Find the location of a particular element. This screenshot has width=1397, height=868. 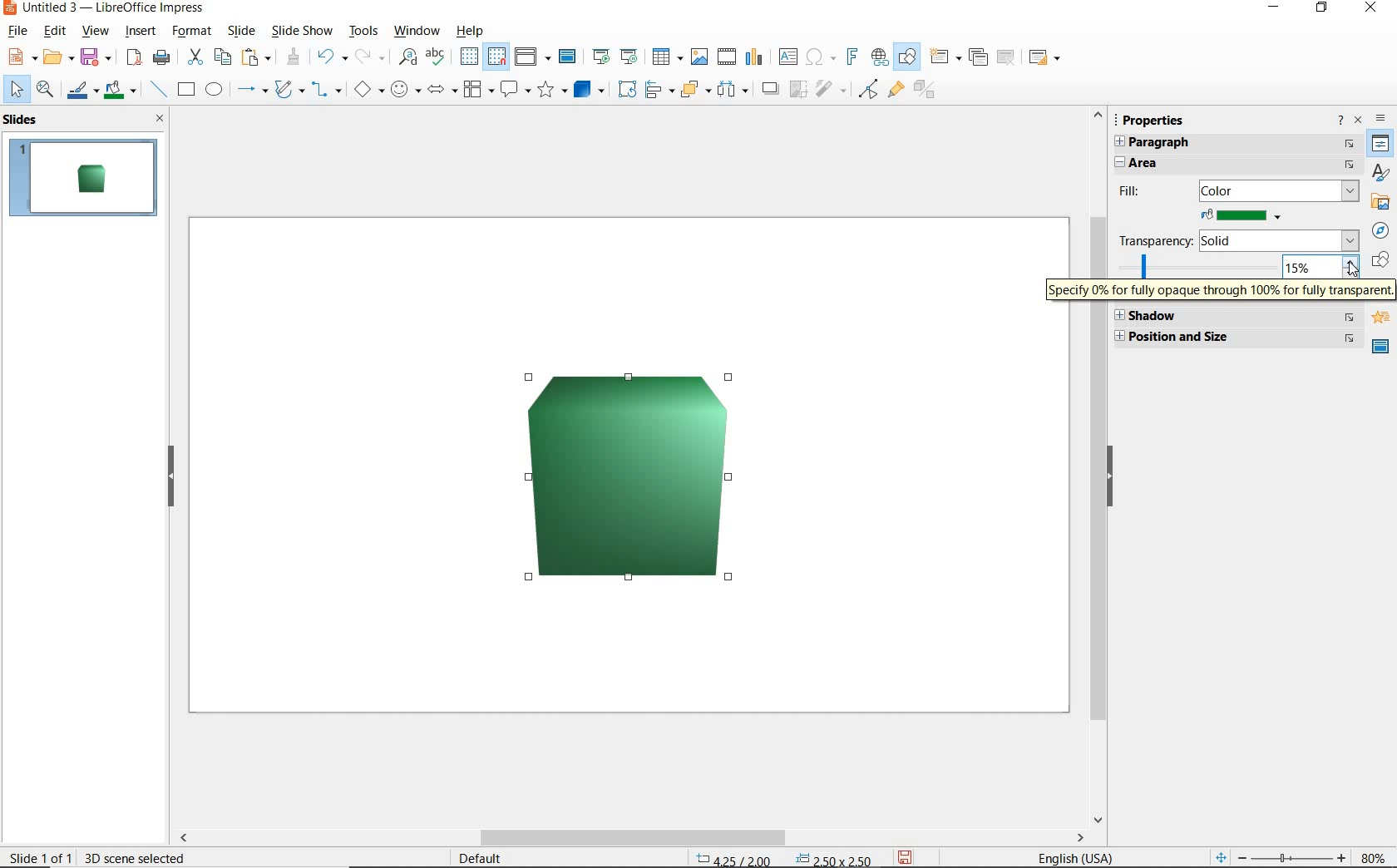

insert image is located at coordinates (699, 57).